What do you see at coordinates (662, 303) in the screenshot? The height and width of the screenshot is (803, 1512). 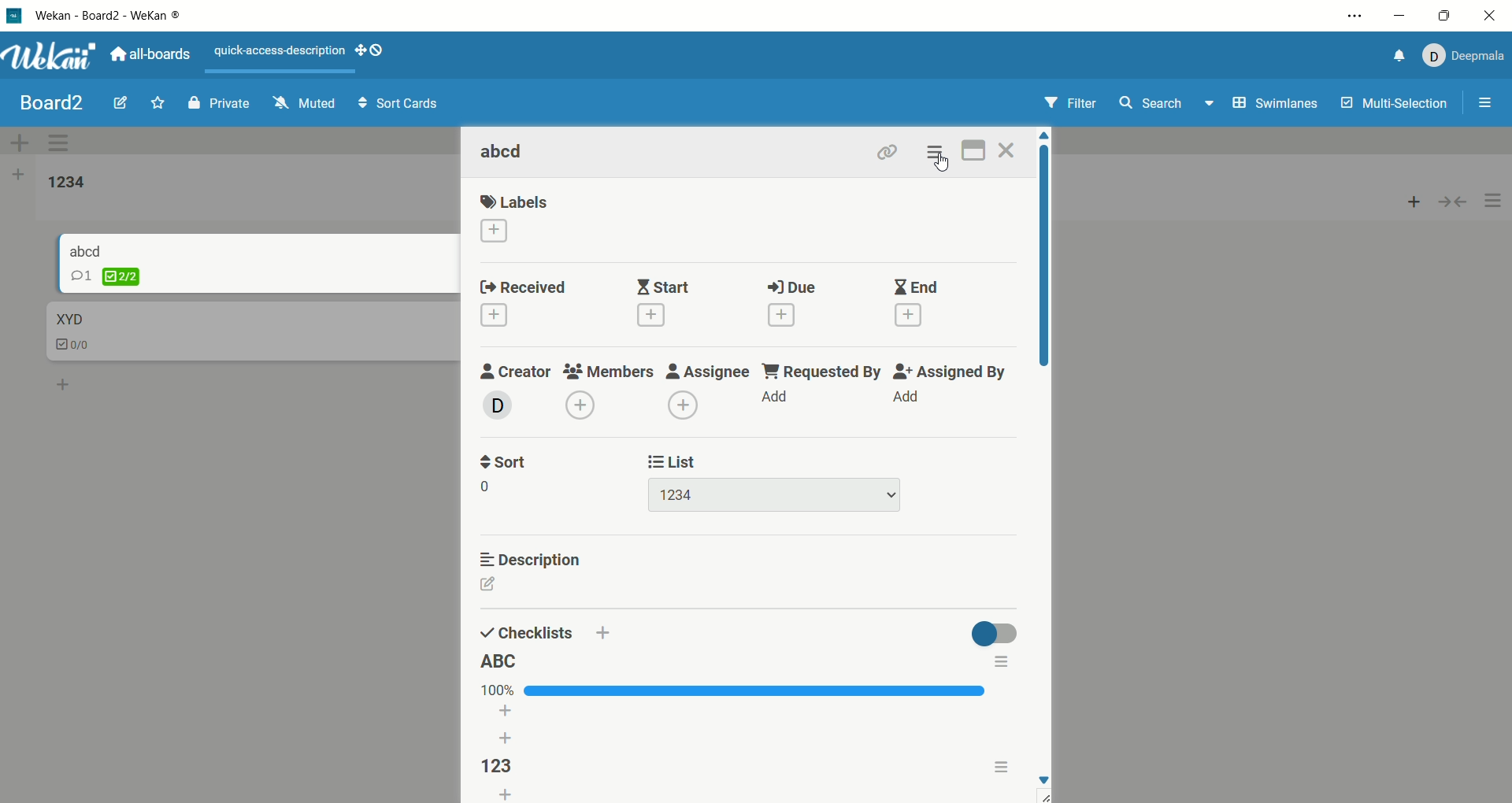 I see `start` at bounding box center [662, 303].